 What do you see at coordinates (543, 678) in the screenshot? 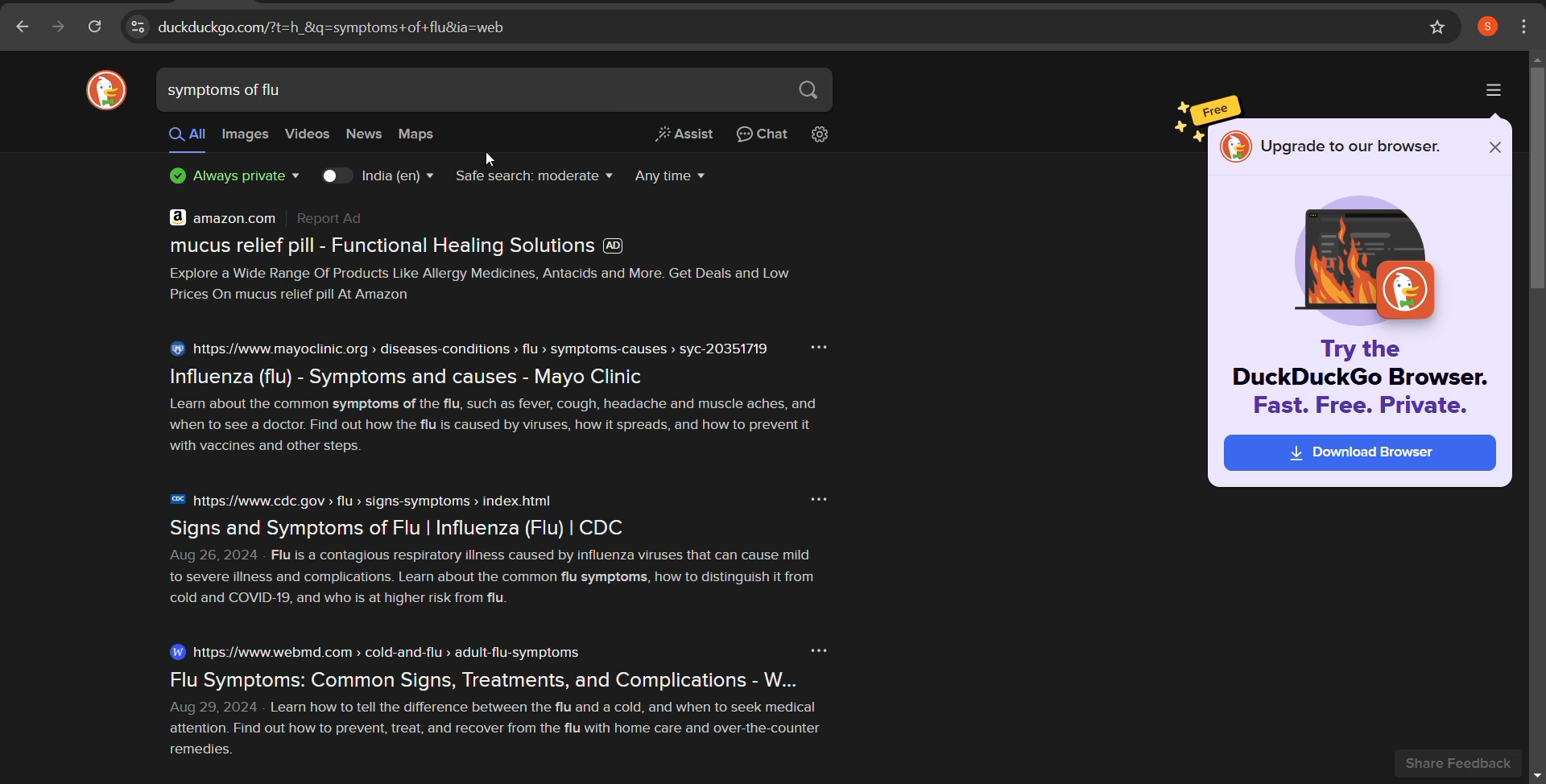
I see `Flu Symptoms: Common Signs, Ireatments, and Complications - W...` at bounding box center [543, 678].